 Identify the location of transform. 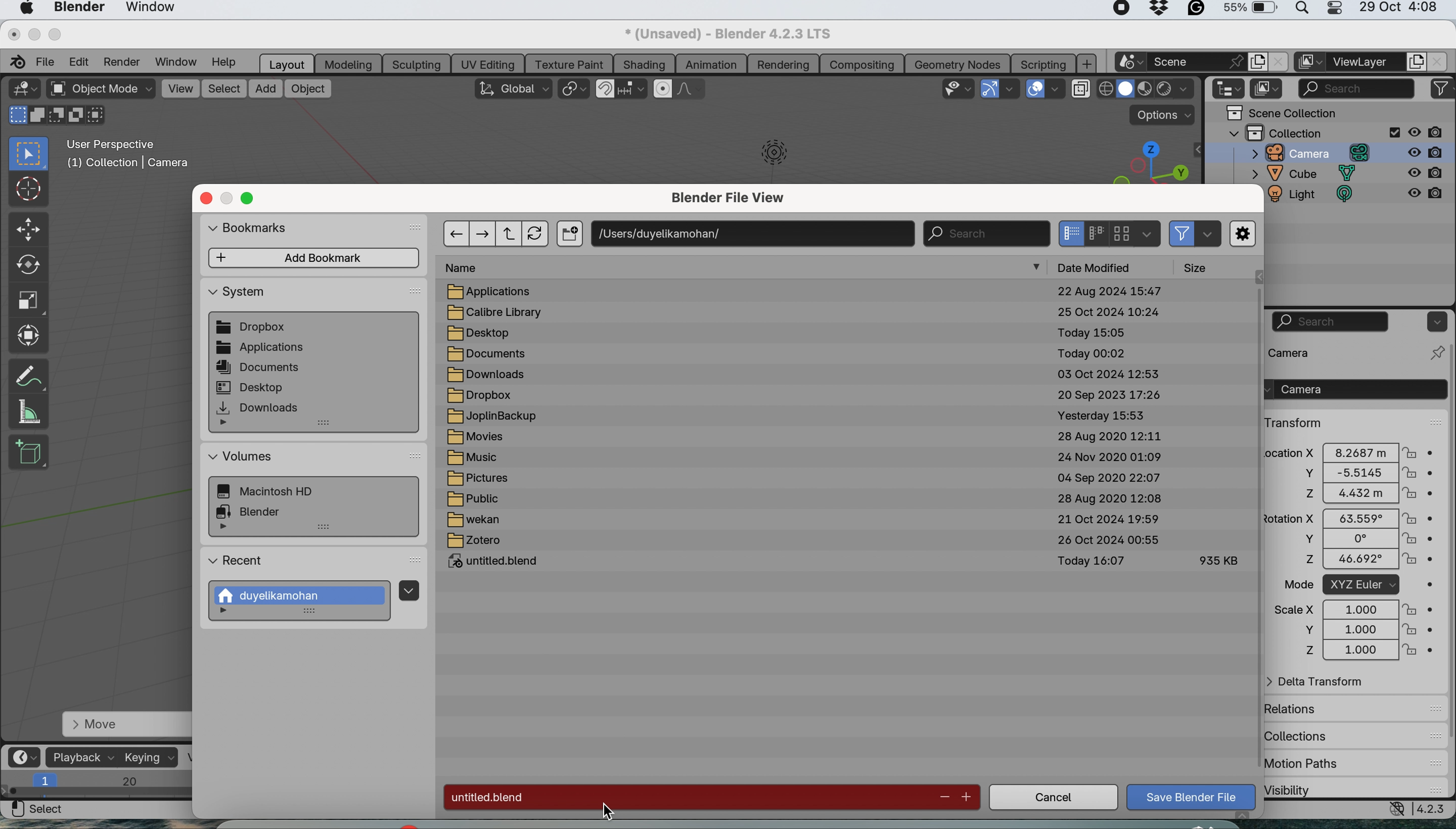
(1295, 422).